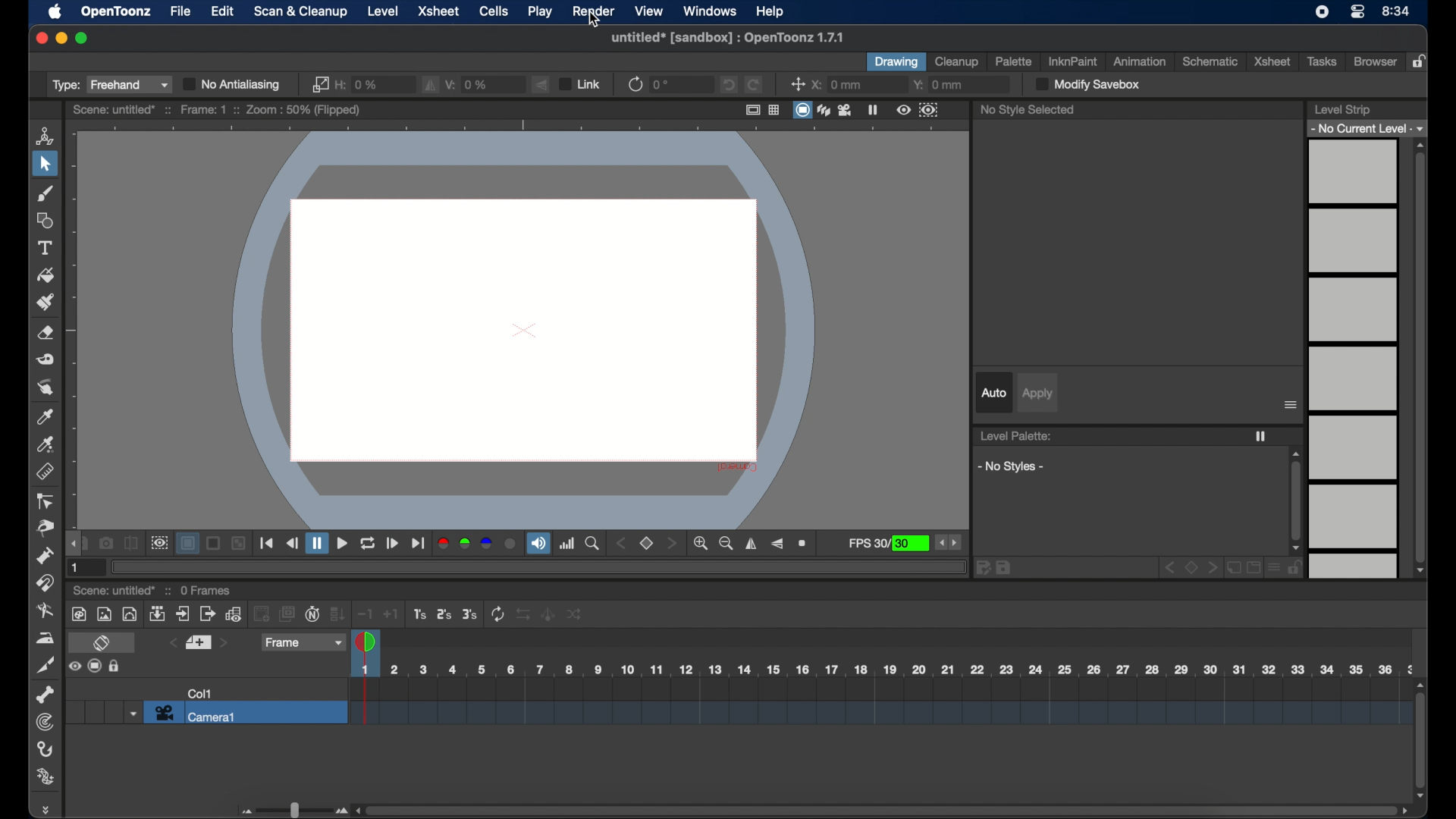 The height and width of the screenshot is (819, 1456). What do you see at coordinates (200, 693) in the screenshot?
I see `col1` at bounding box center [200, 693].